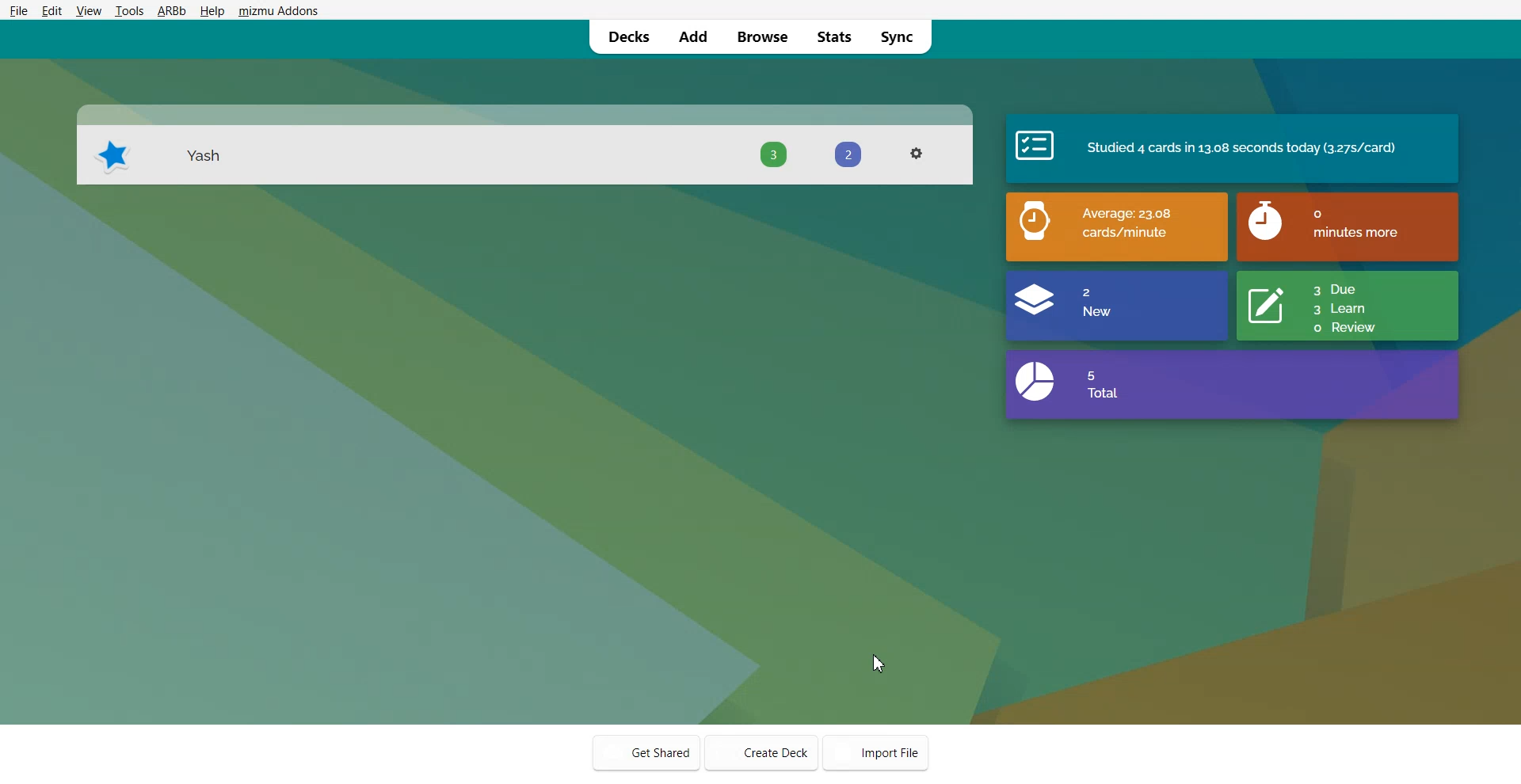  Describe the element at coordinates (1235, 386) in the screenshot. I see `5 total file` at that location.